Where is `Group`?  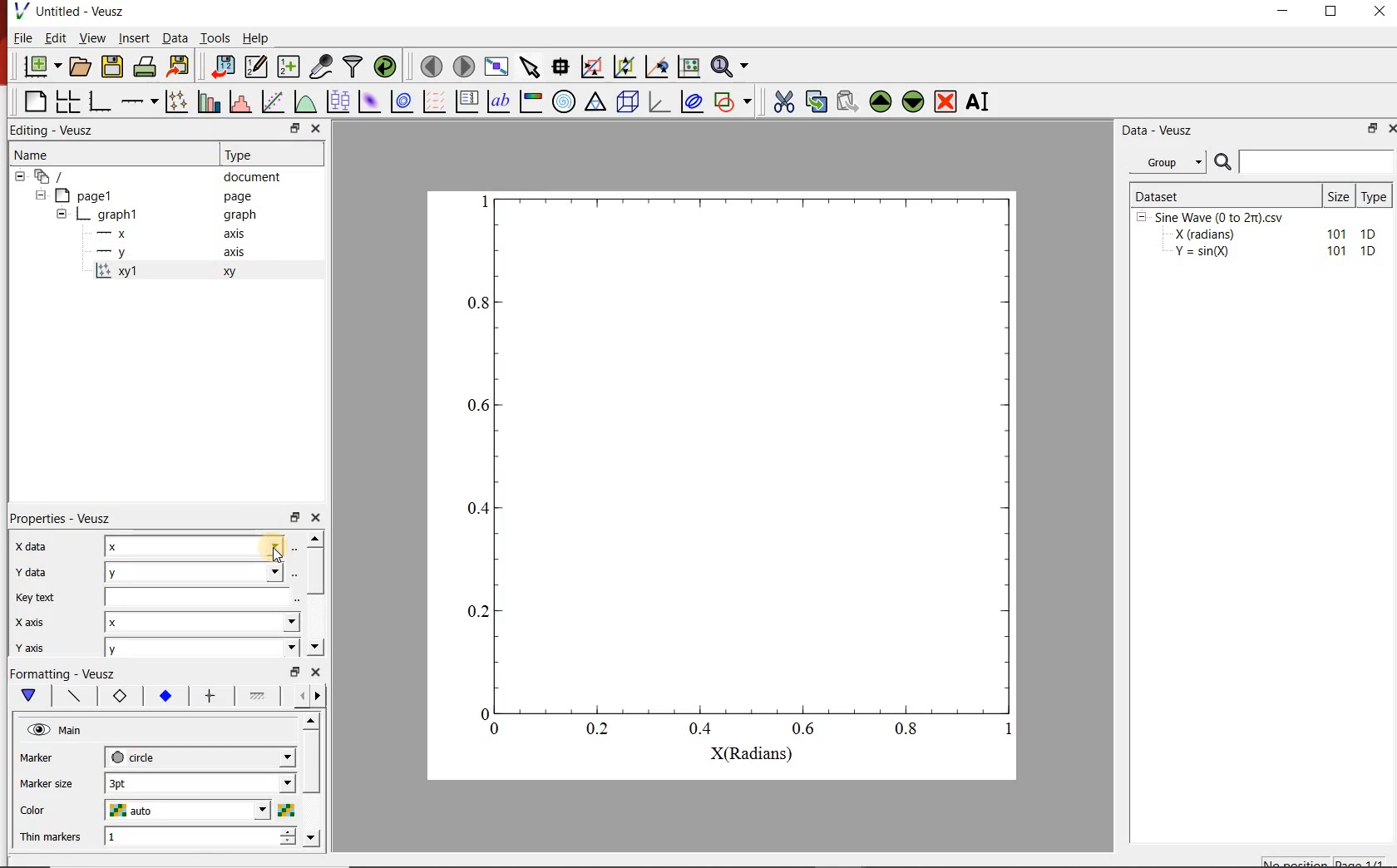 Group is located at coordinates (1172, 162).